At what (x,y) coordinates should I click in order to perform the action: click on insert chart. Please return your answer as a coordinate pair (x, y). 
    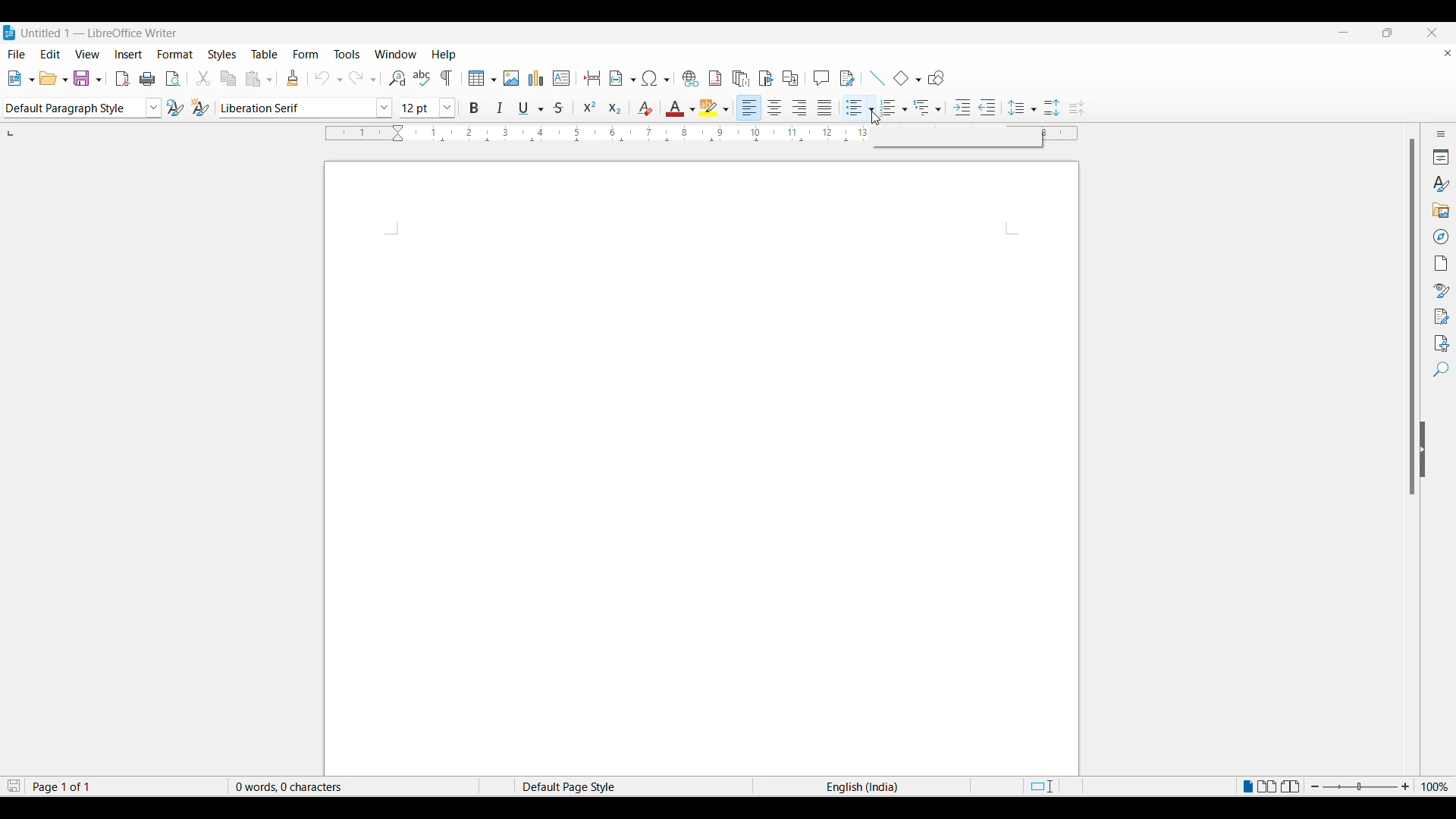
    Looking at the image, I should click on (537, 77).